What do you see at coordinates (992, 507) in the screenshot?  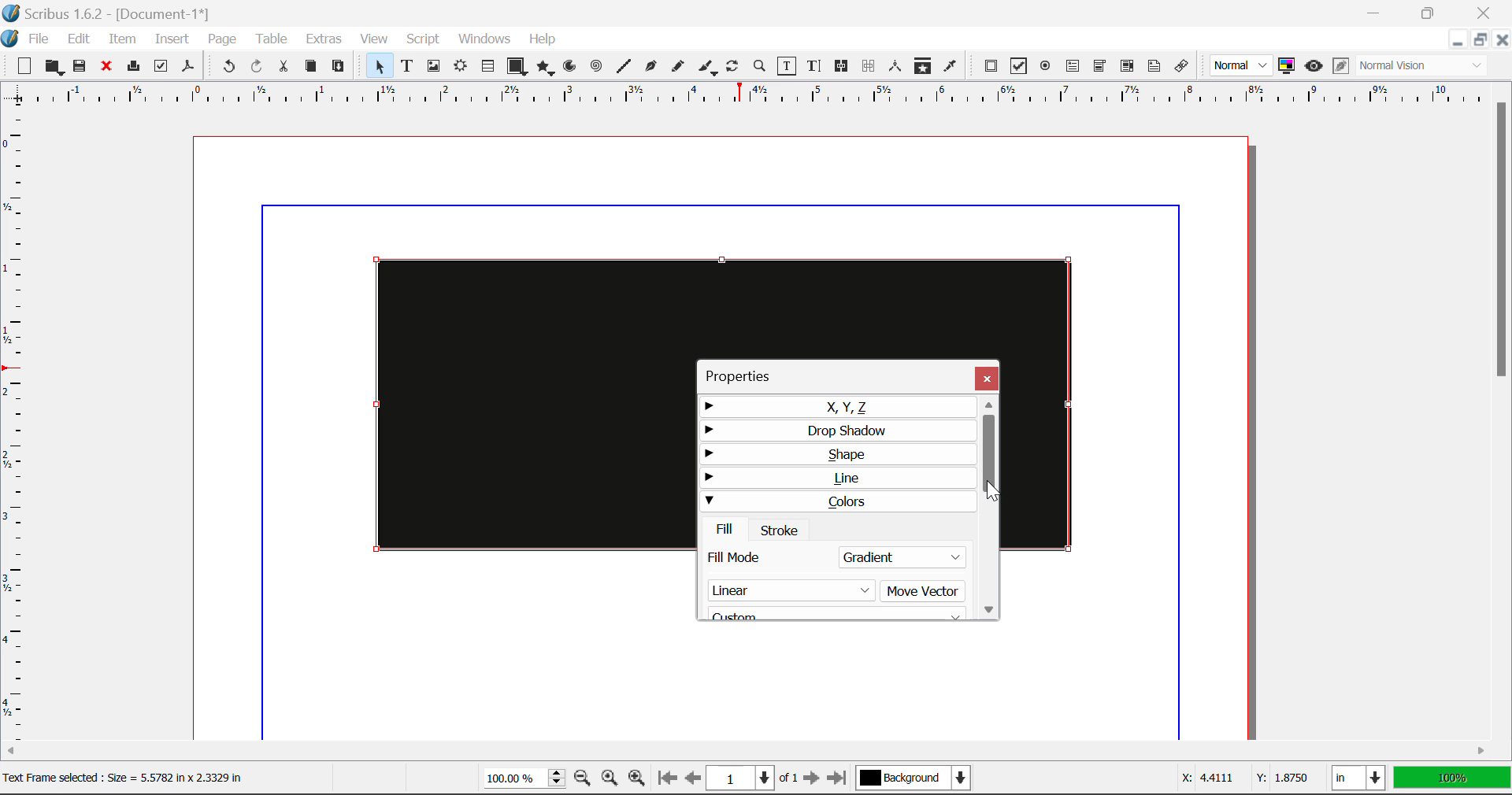 I see `Scroll Bar` at bounding box center [992, 507].